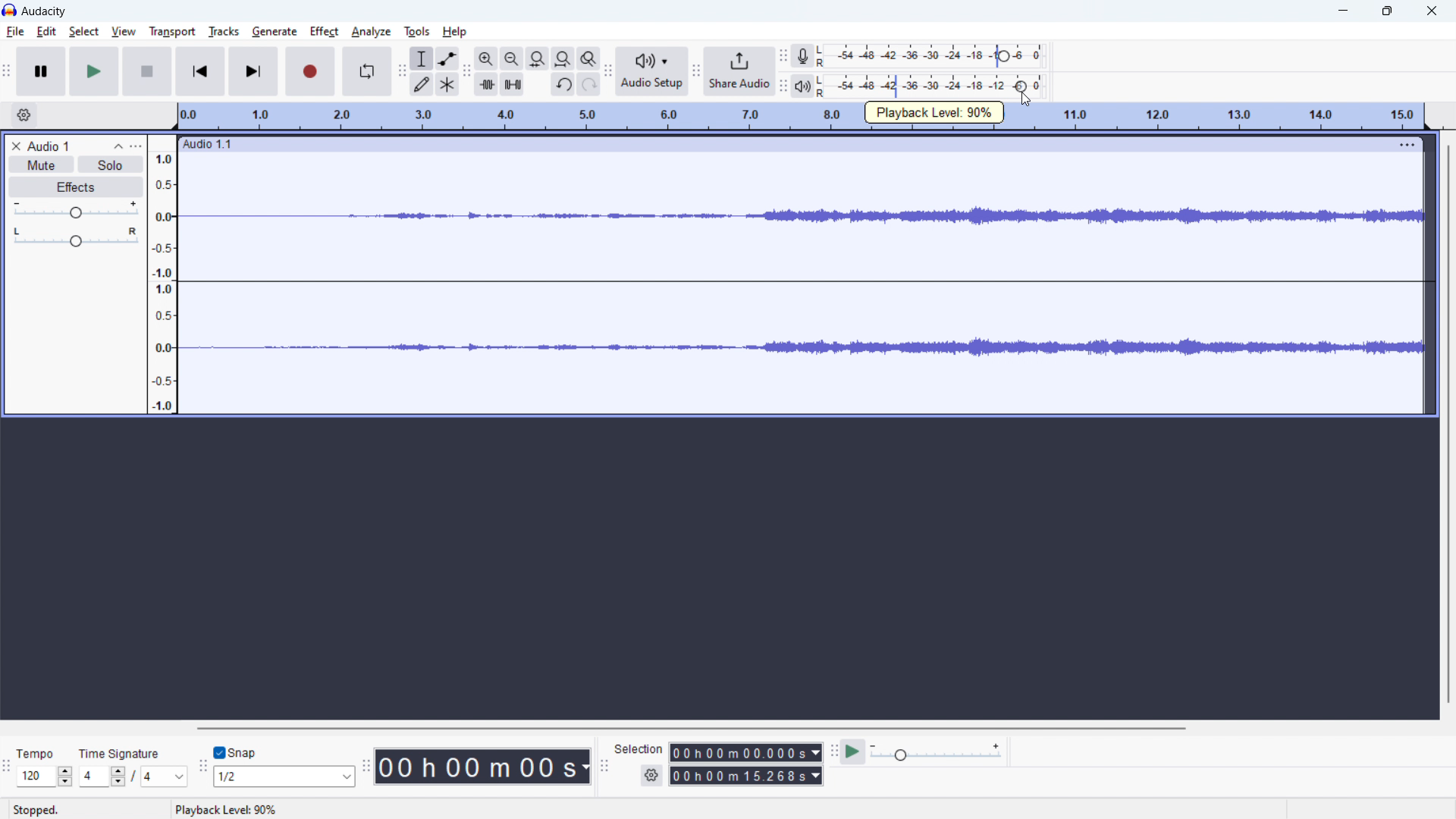 Image resolution: width=1456 pixels, height=819 pixels. Describe the element at coordinates (136, 146) in the screenshot. I see `view menu` at that location.